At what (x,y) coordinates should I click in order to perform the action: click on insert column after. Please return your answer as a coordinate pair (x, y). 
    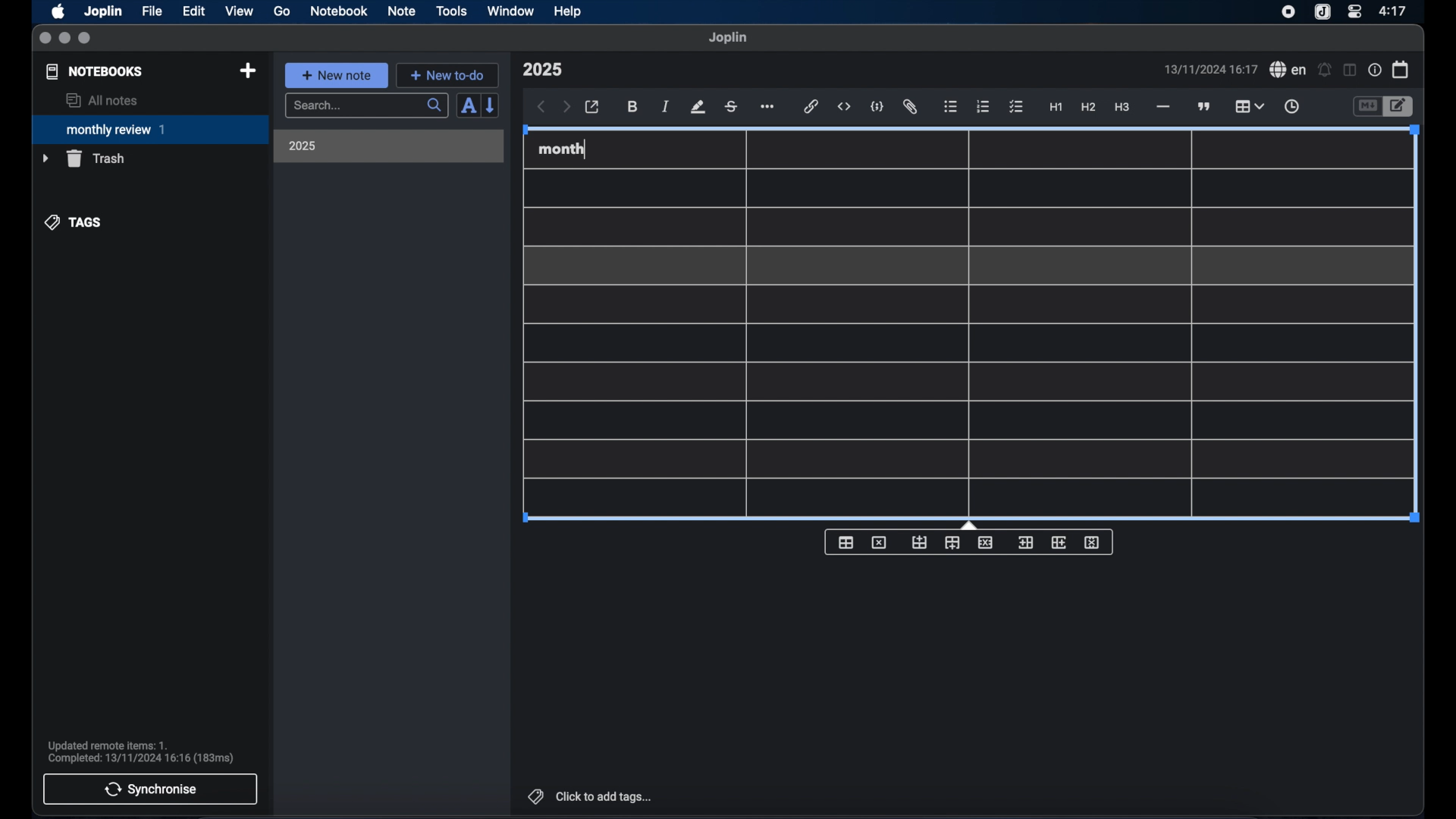
    Looking at the image, I should click on (1059, 542).